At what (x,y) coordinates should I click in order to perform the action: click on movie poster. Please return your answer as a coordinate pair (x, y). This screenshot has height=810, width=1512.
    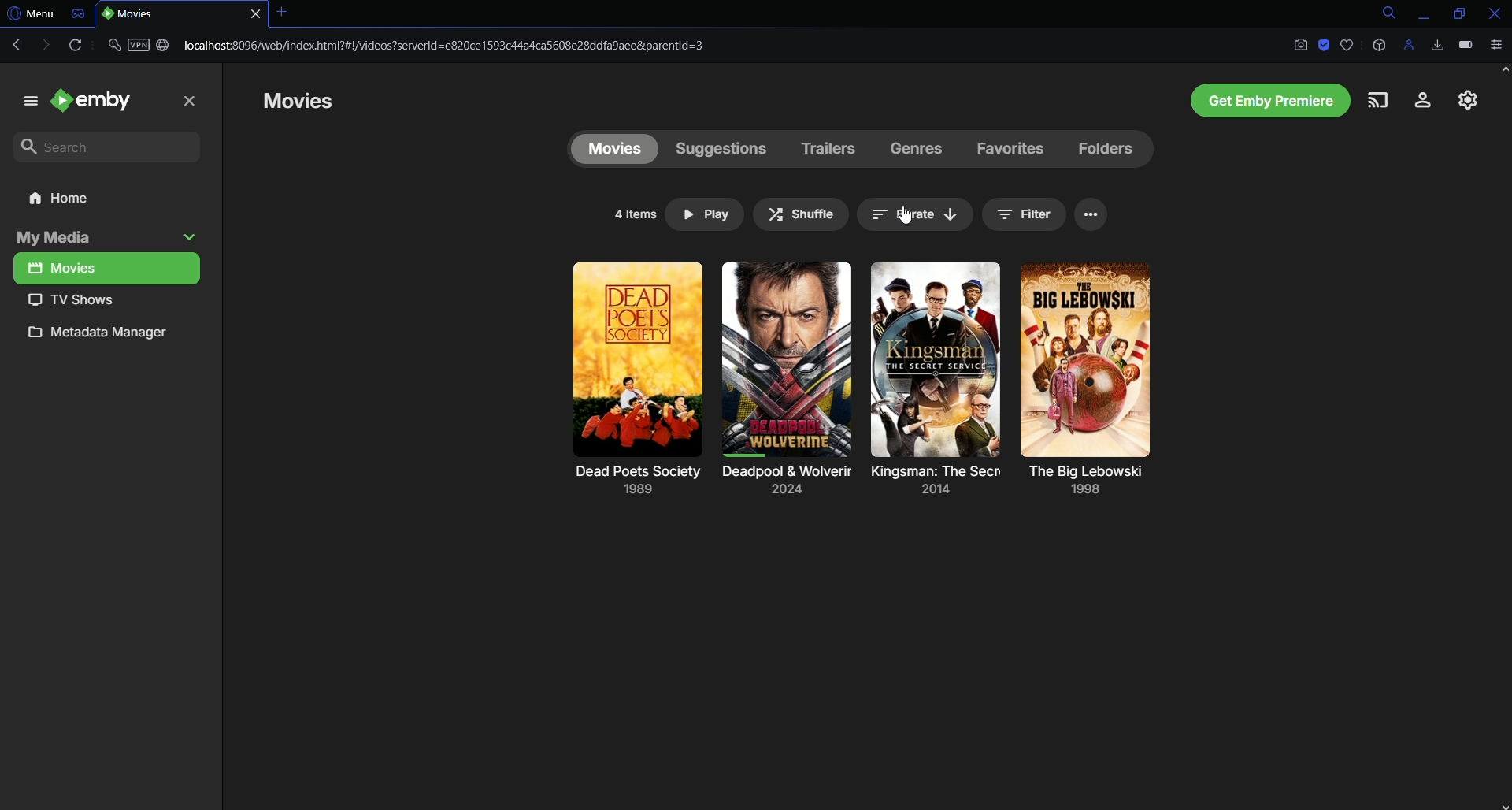
    Looking at the image, I should click on (784, 360).